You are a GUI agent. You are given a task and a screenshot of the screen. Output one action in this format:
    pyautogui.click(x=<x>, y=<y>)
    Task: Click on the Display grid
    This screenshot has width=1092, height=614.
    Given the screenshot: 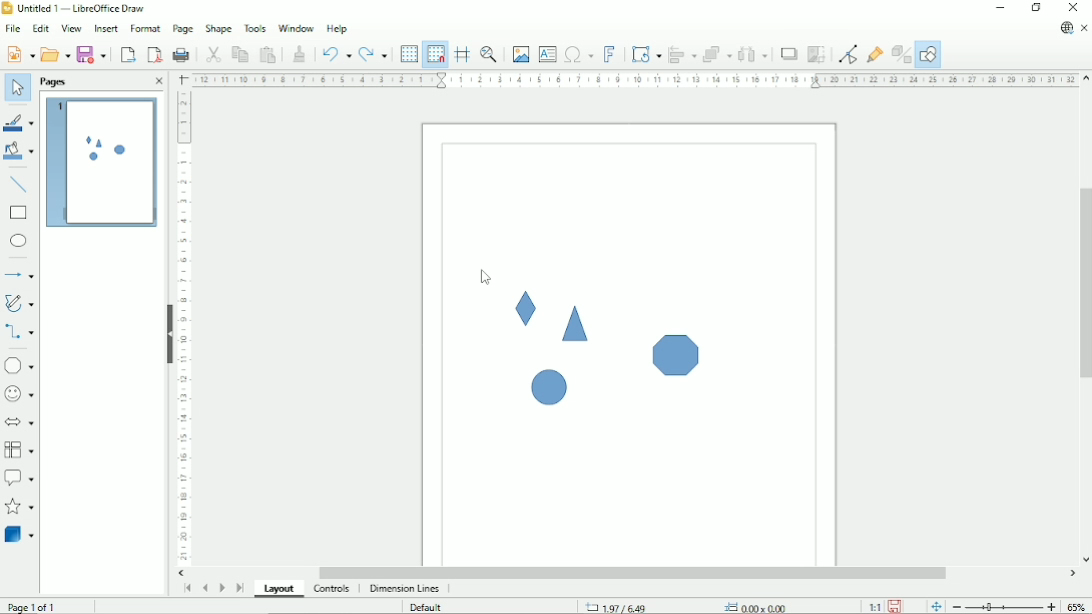 What is the action you would take?
    pyautogui.click(x=408, y=54)
    